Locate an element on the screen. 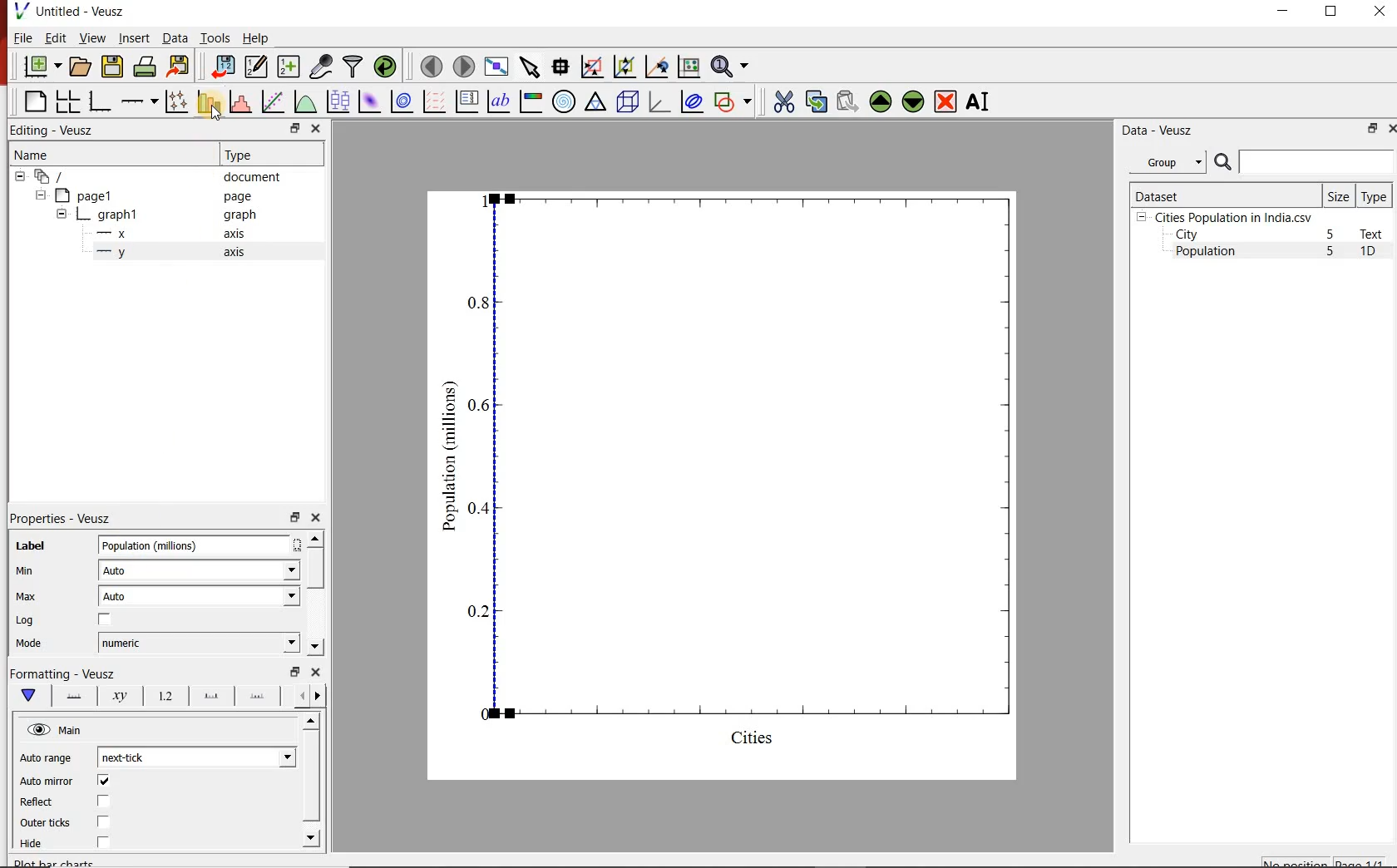 Image resolution: width=1397 pixels, height=868 pixels. Type is located at coordinates (269, 155).